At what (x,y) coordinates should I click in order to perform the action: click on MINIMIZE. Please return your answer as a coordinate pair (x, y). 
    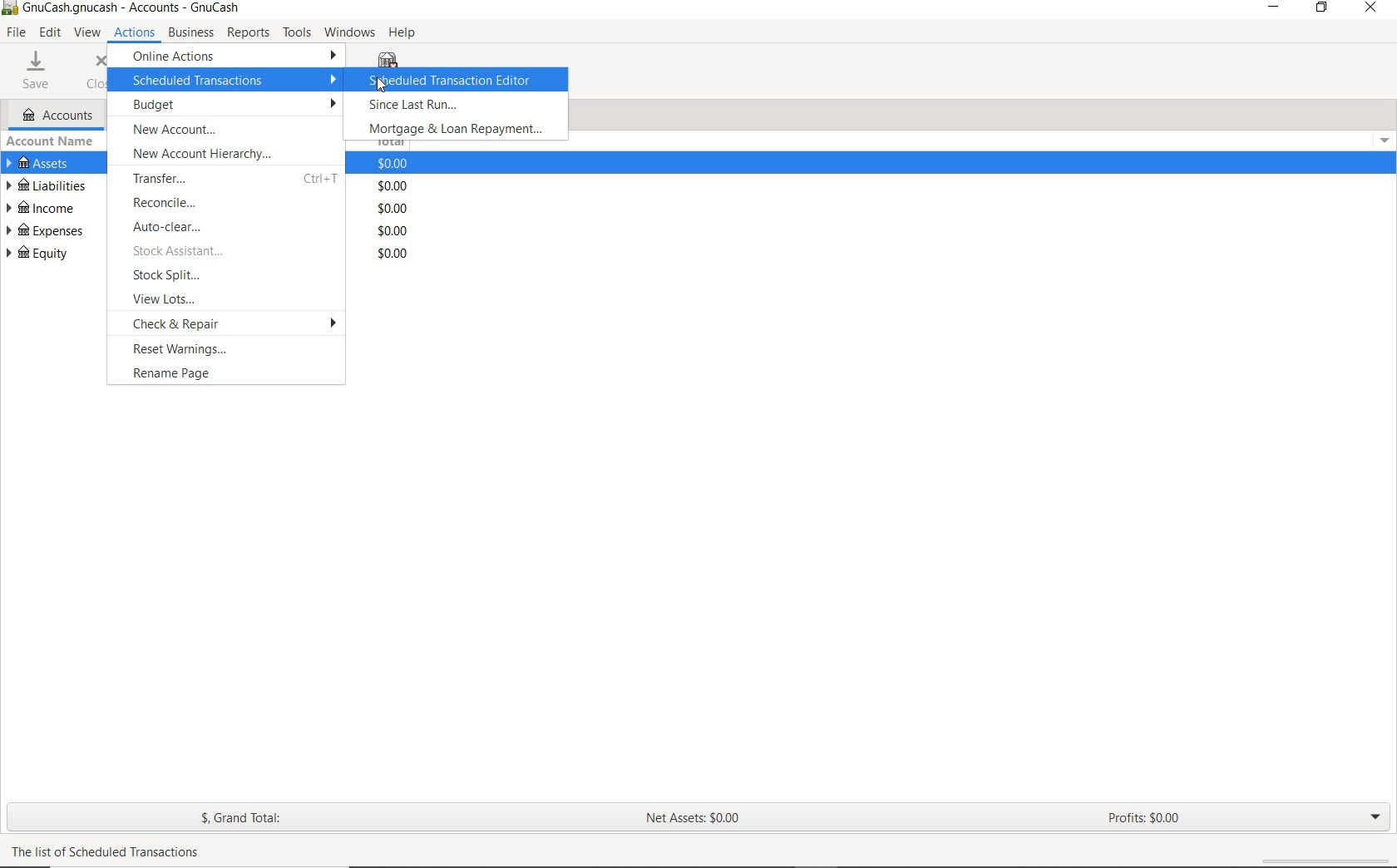
    Looking at the image, I should click on (1275, 7).